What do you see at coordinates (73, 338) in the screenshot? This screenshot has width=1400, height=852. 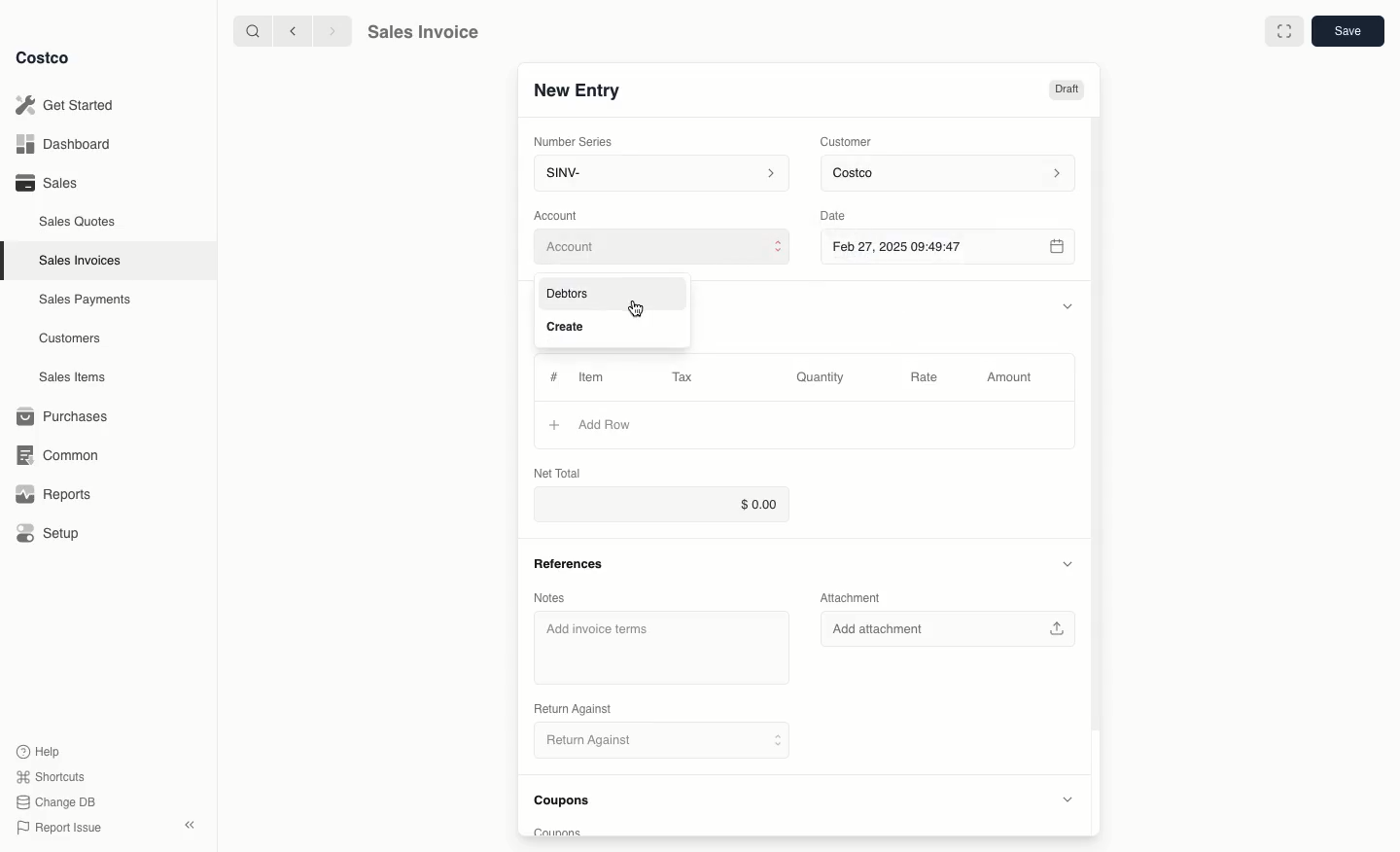 I see `Customers` at bounding box center [73, 338].